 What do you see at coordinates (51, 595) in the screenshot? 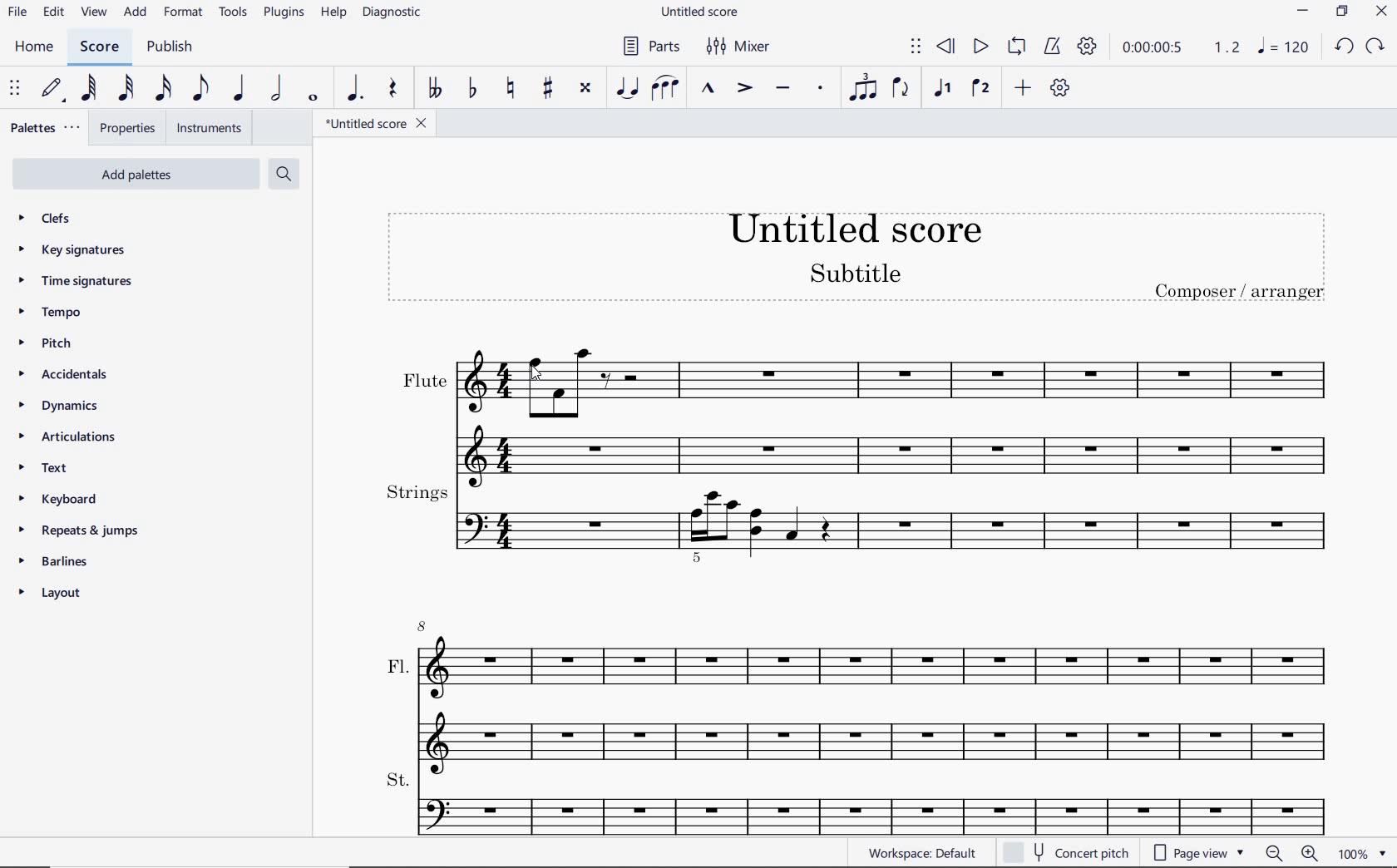
I see `layout` at bounding box center [51, 595].